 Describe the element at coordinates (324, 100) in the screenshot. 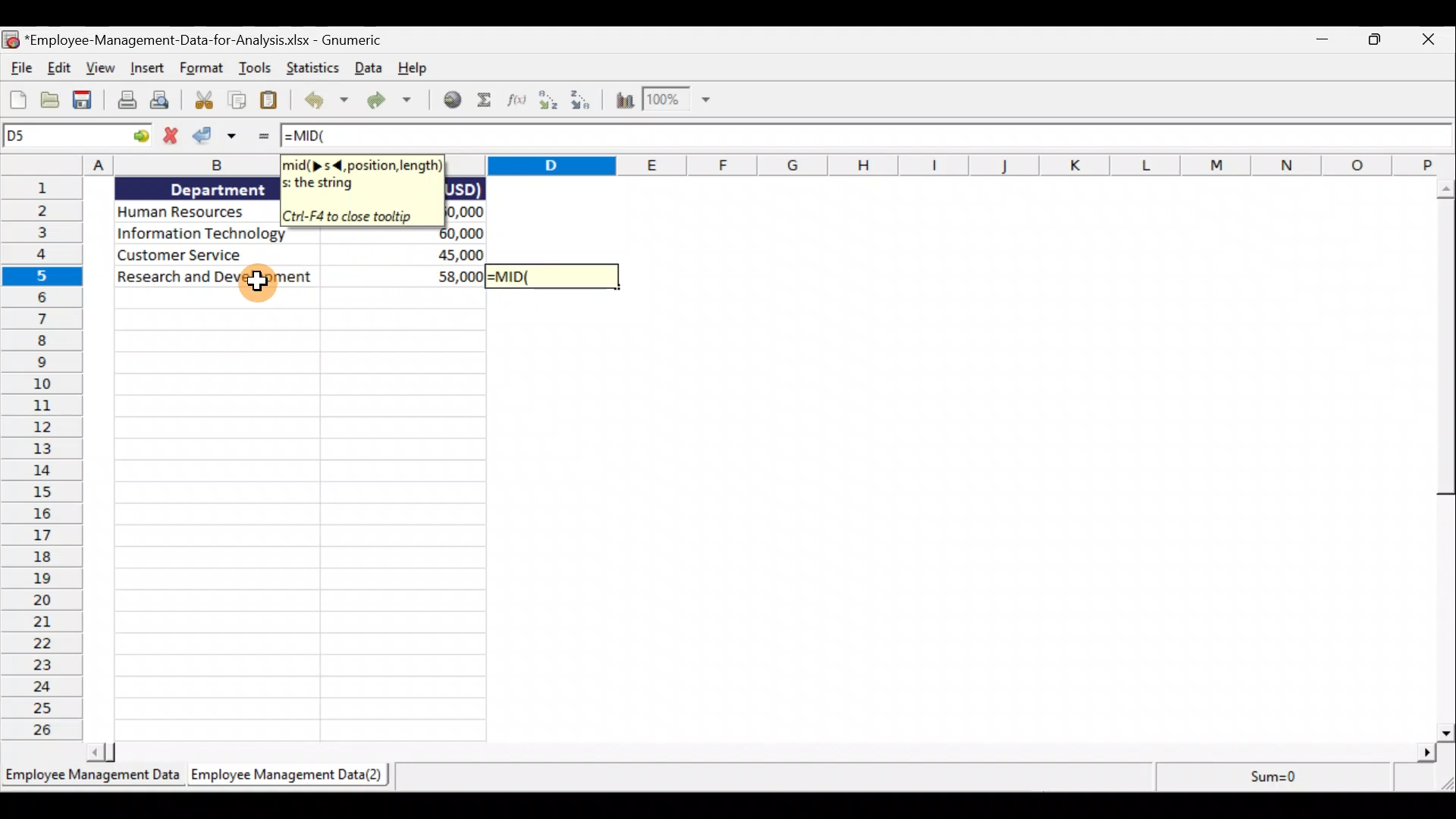

I see `Undo the last action` at that location.